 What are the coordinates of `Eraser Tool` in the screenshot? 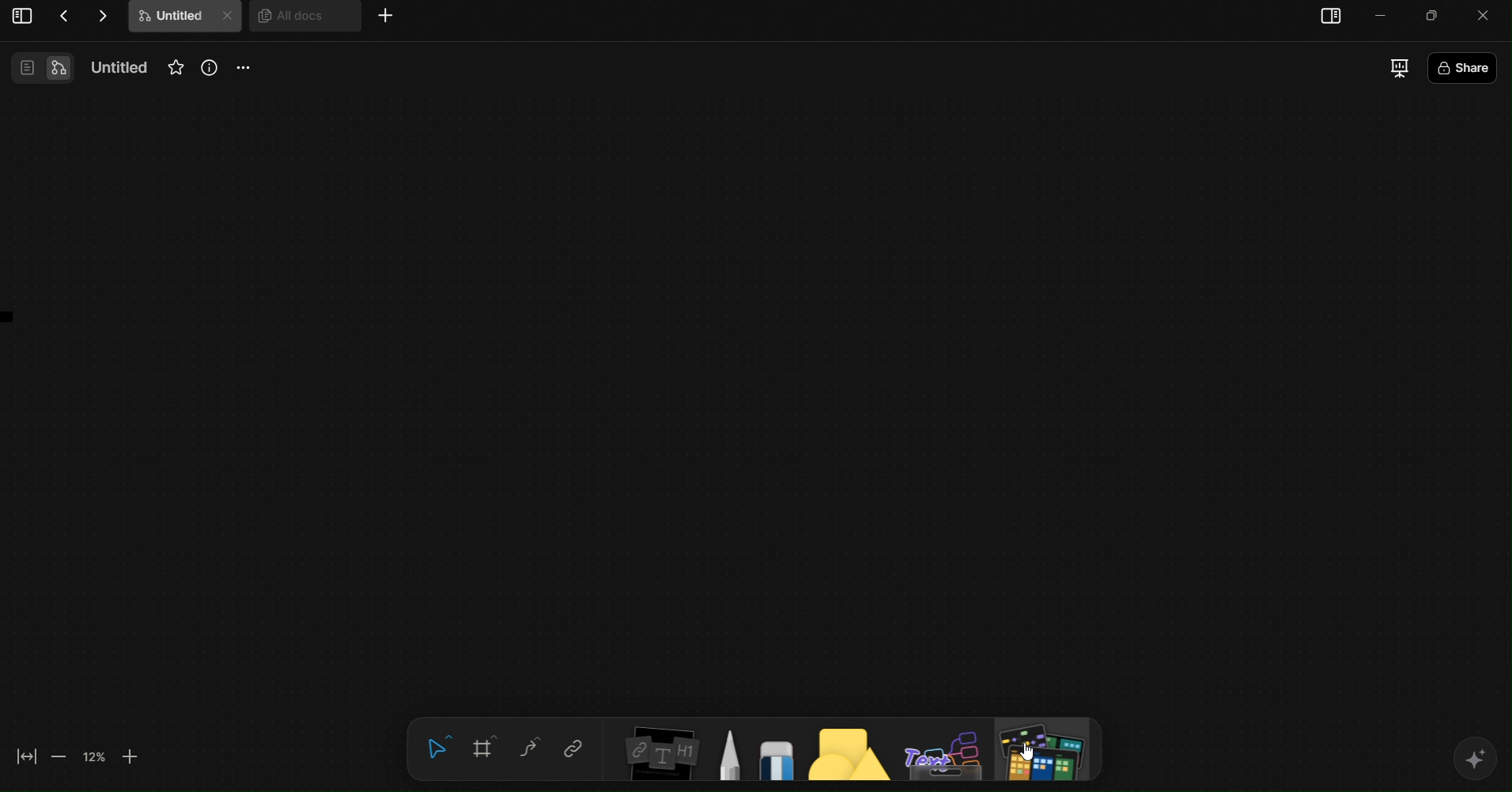 It's located at (776, 754).